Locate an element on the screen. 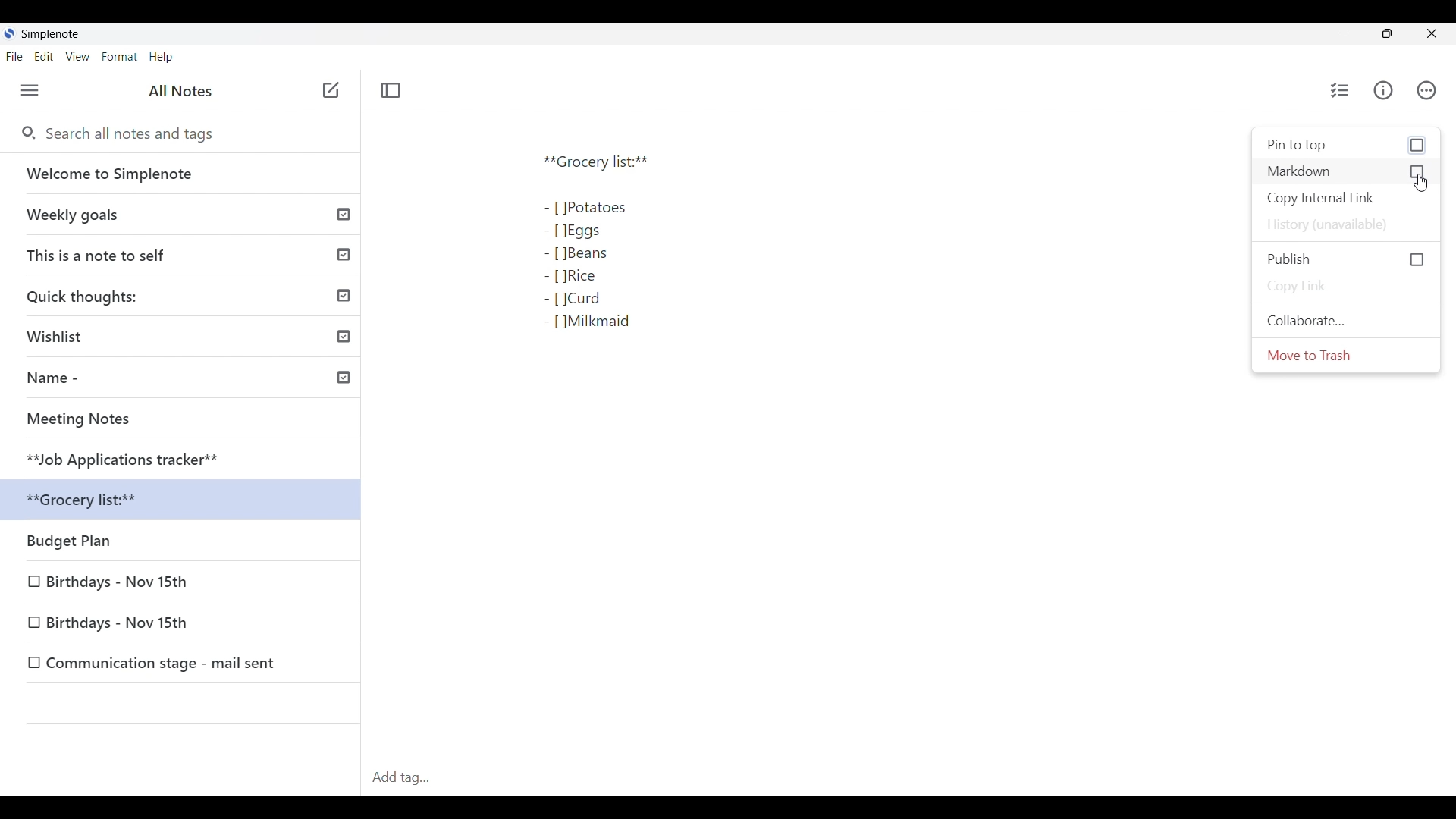 The height and width of the screenshot is (819, 1456). Meeting Notes is located at coordinates (186, 421).